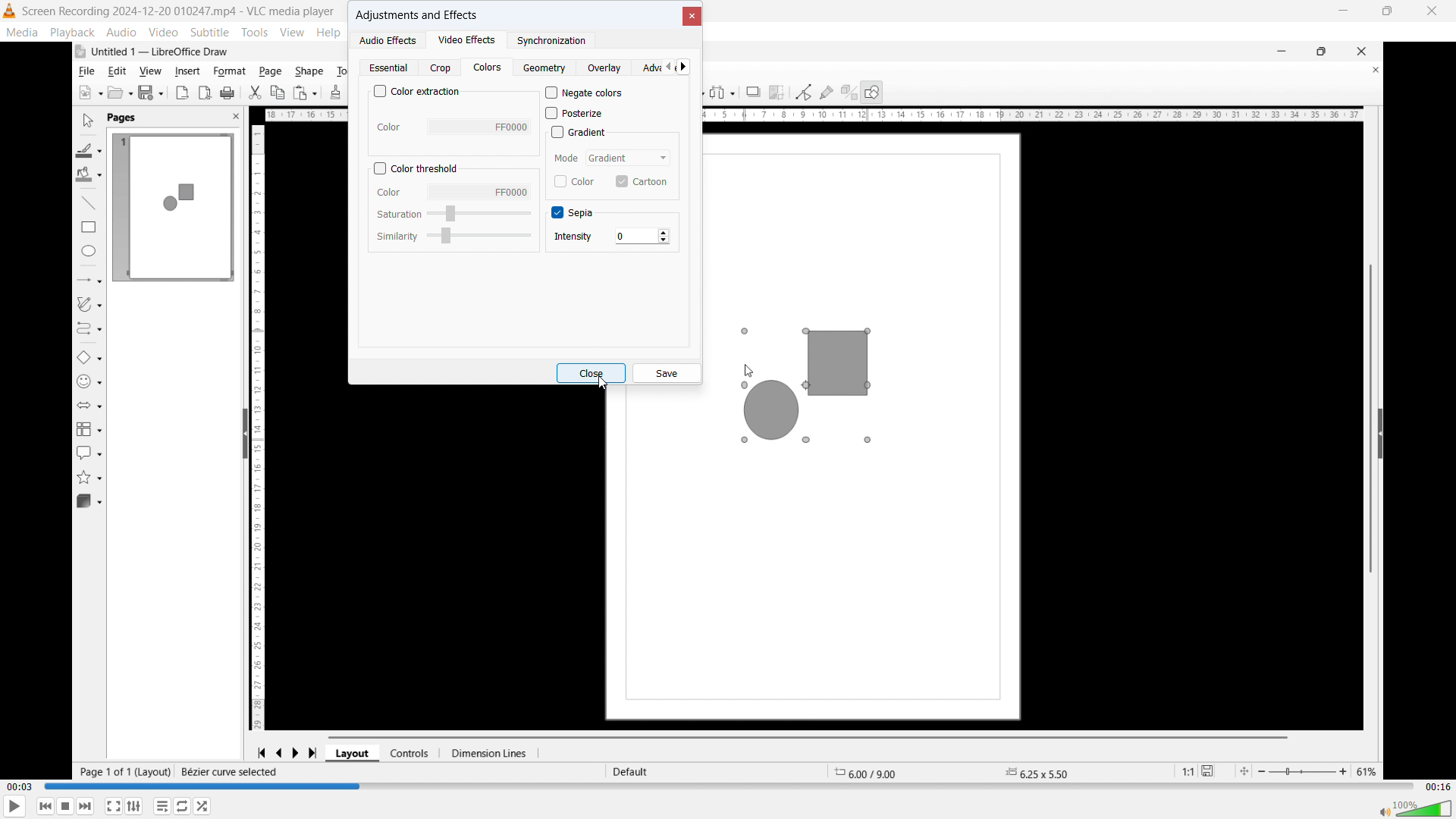 The image size is (1456, 819). Describe the element at coordinates (416, 168) in the screenshot. I see `Colour threshold ` at that location.